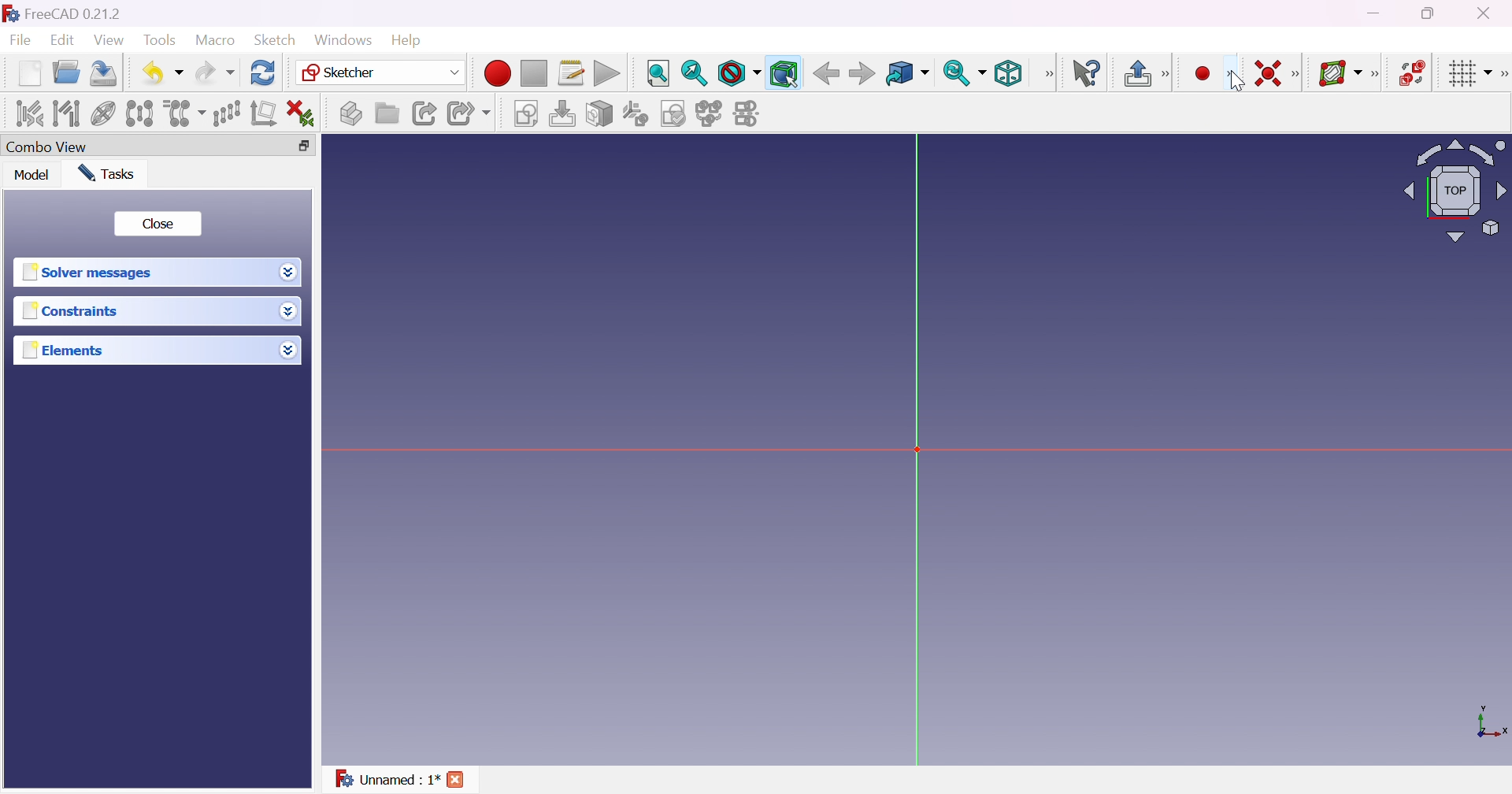 This screenshot has height=794, width=1512. I want to click on Restore down, so click(1431, 13).